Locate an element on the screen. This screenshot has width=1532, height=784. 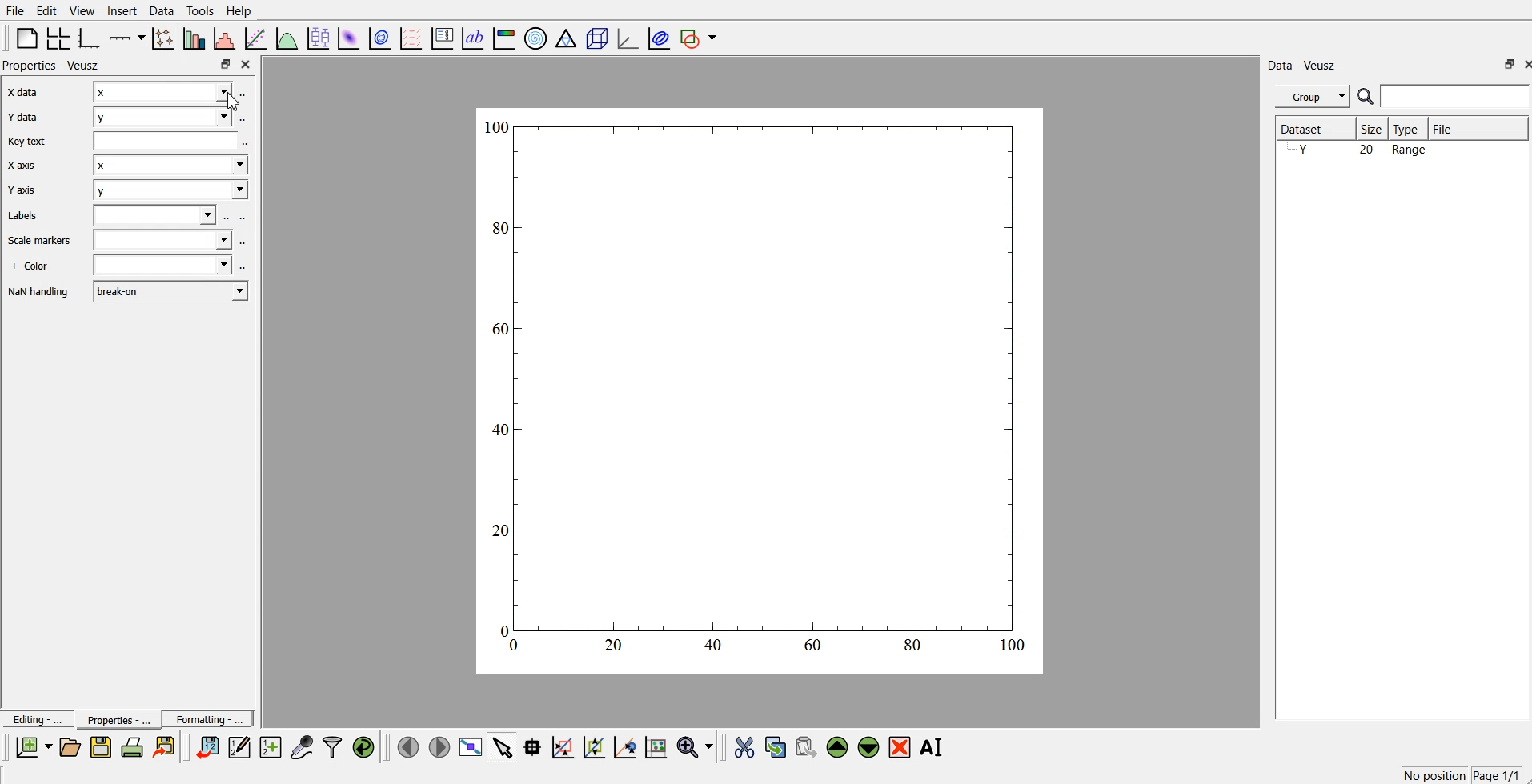
rename the selected widget is located at coordinates (932, 747).